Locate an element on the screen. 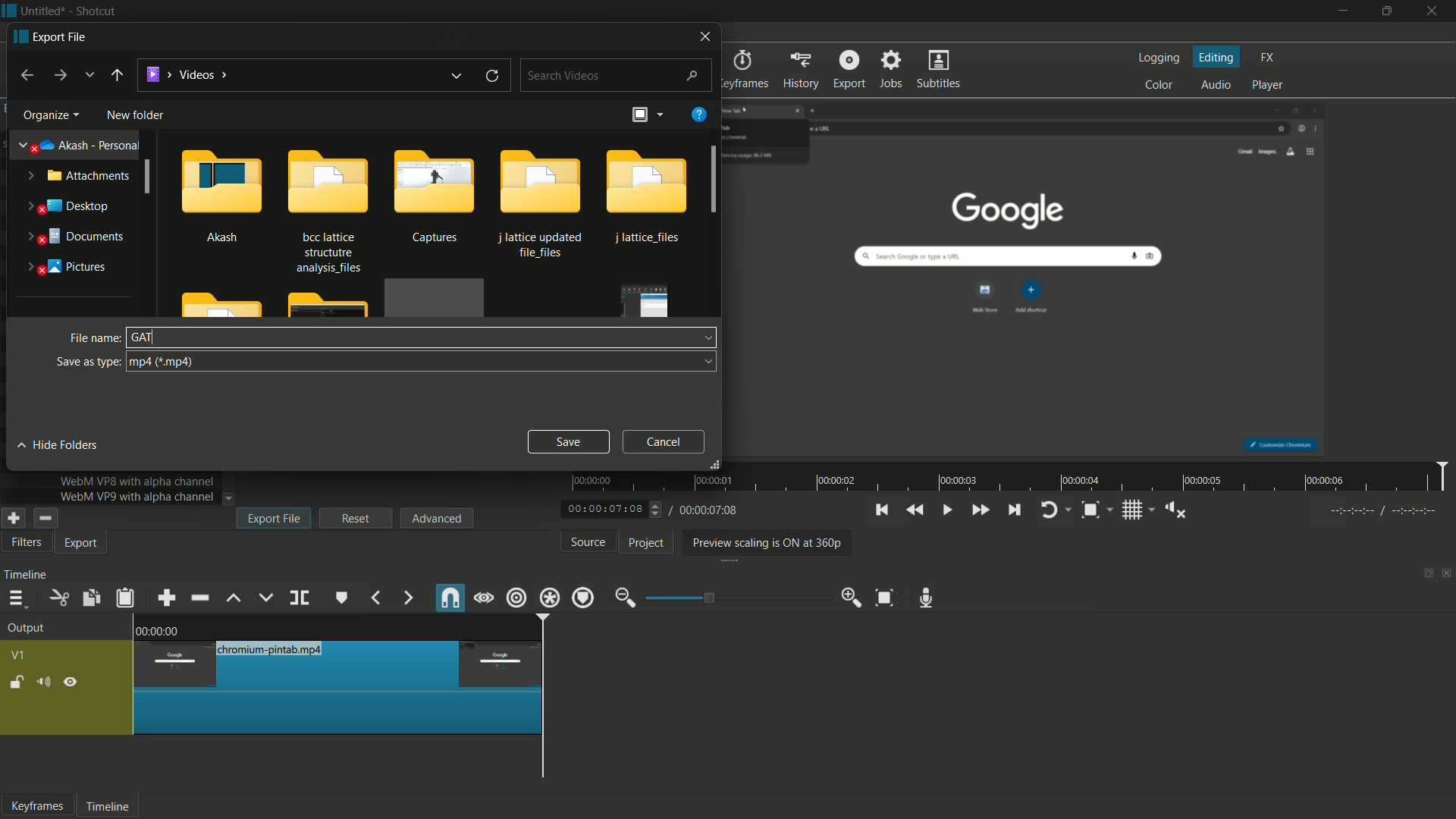  remove is located at coordinates (44, 518).